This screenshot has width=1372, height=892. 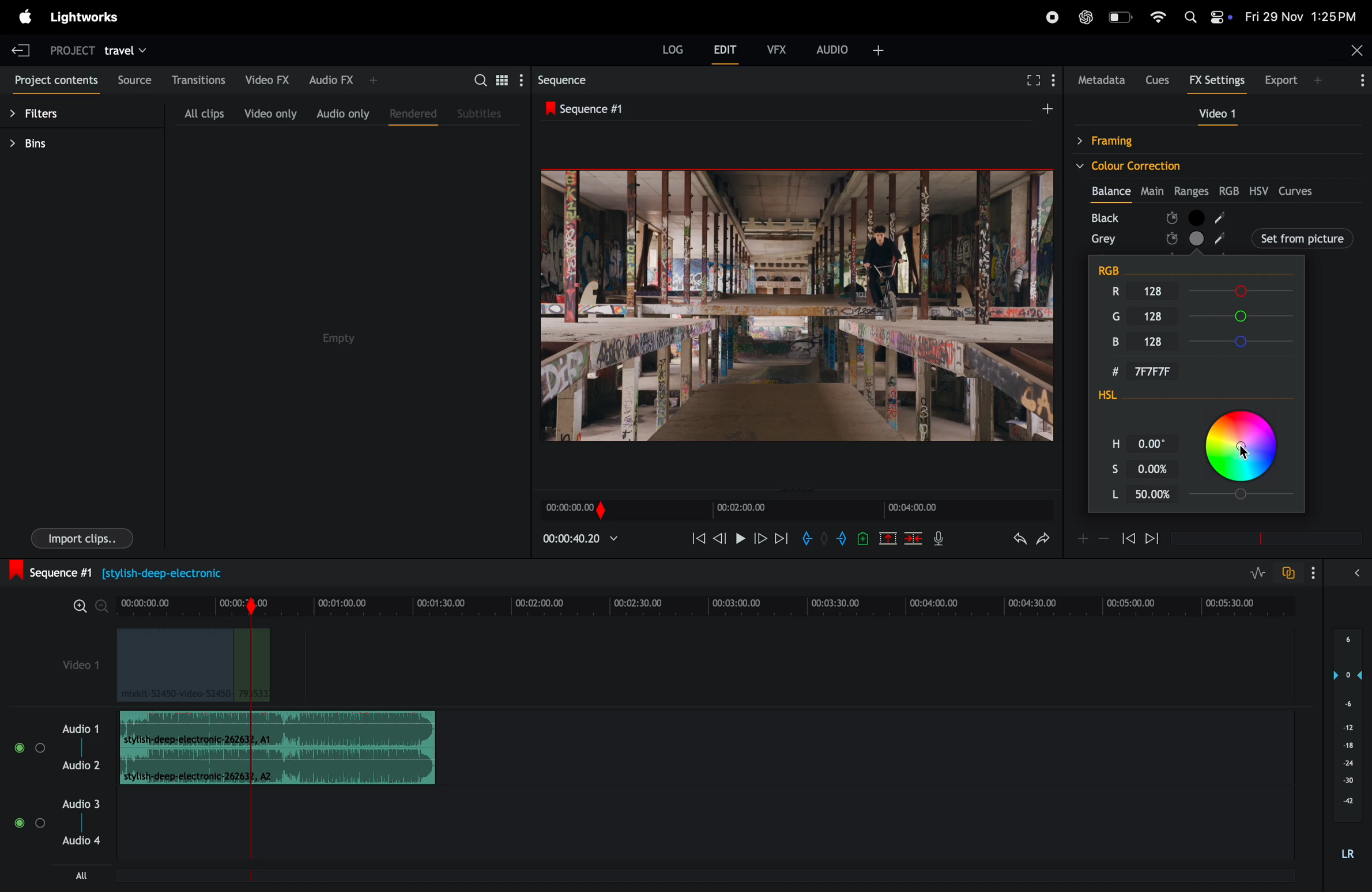 I want to click on R slider, so click(x=1243, y=292).